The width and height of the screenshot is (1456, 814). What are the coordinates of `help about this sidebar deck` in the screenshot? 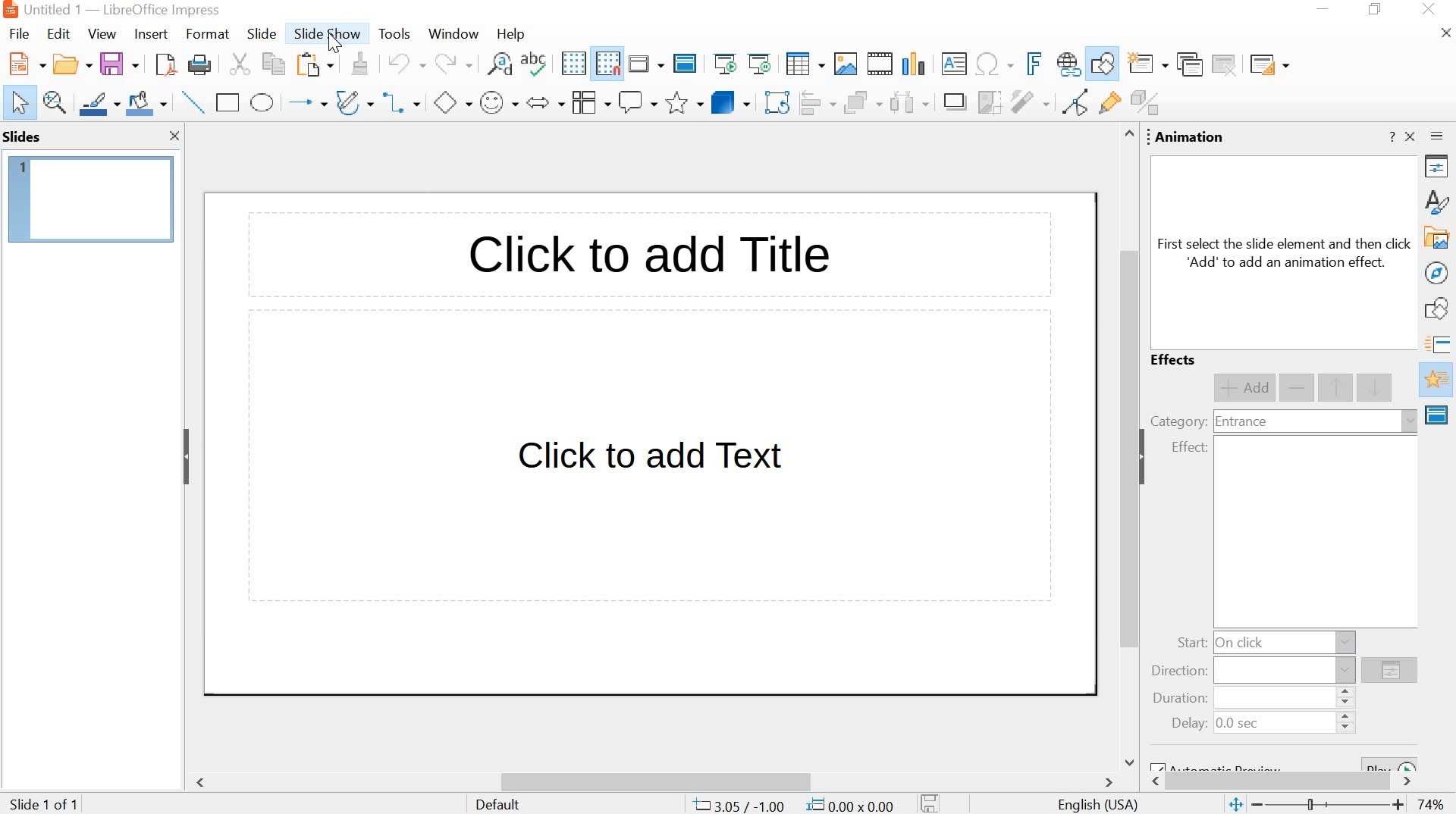 It's located at (1391, 136).